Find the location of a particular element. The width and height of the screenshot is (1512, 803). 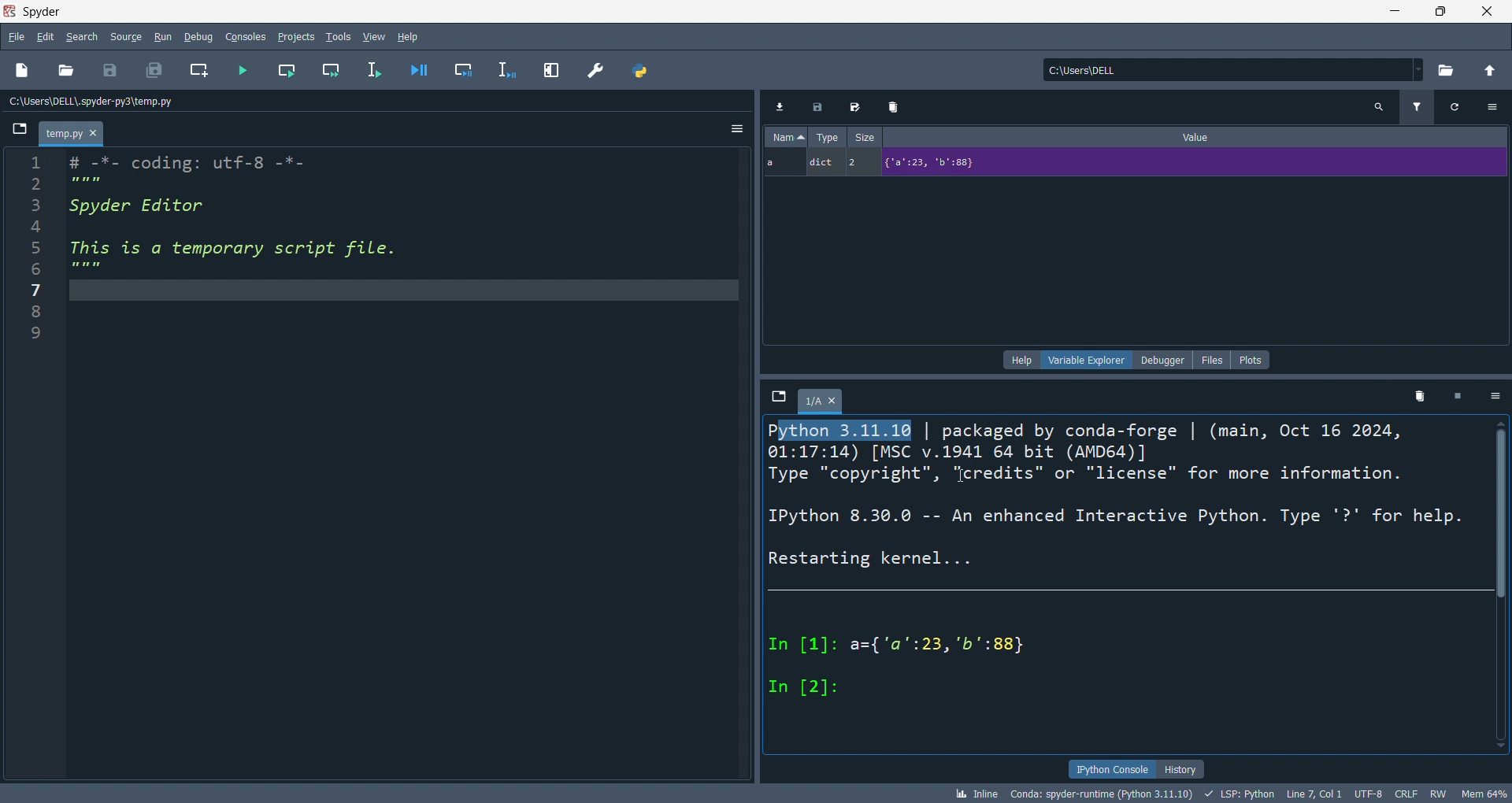

conda: spyder-runtime (Python 3.11.10) is located at coordinates (1098, 795).